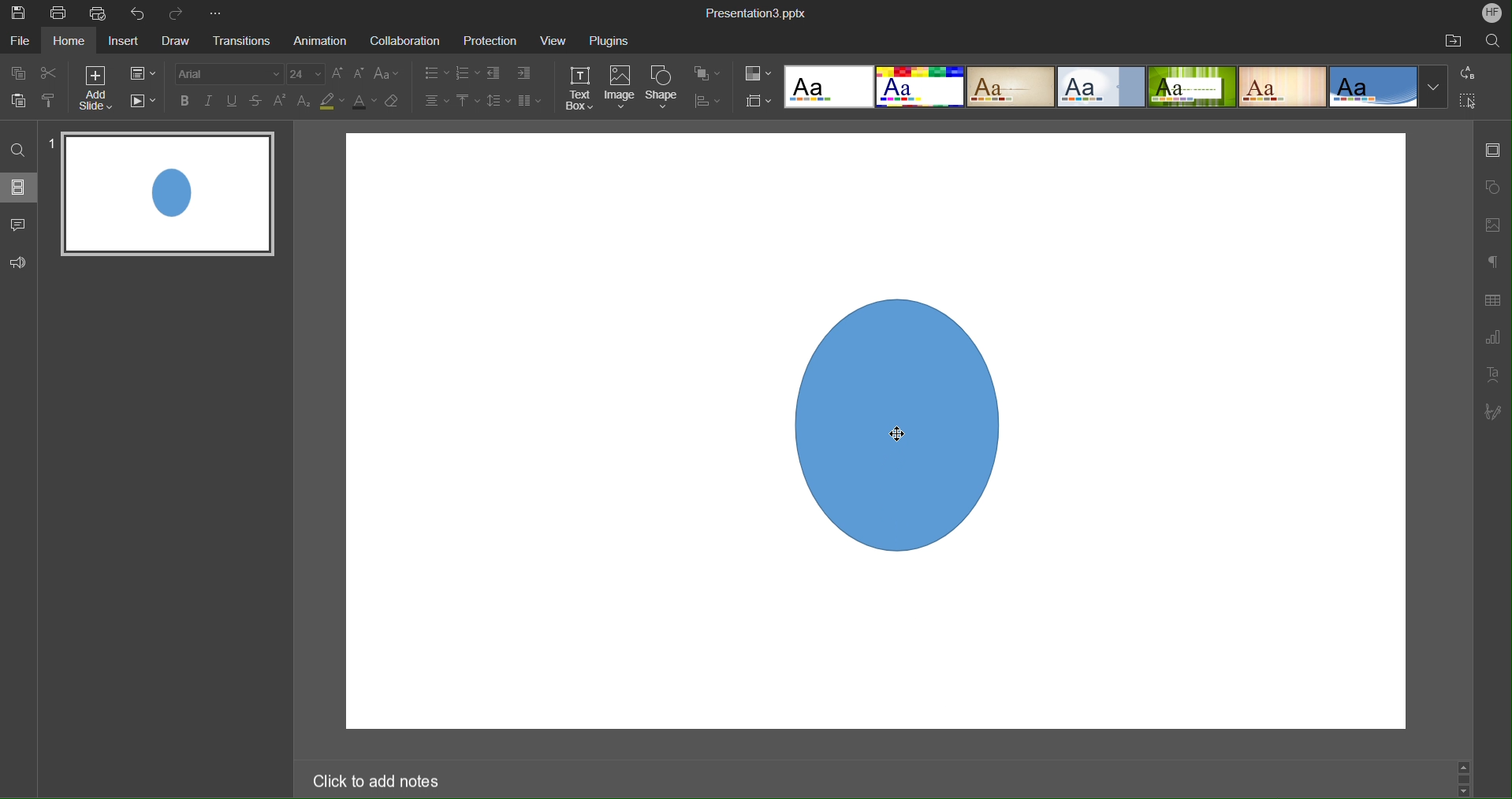 Image resolution: width=1512 pixels, height=799 pixels. What do you see at coordinates (1465, 775) in the screenshot?
I see `Scroll bar` at bounding box center [1465, 775].